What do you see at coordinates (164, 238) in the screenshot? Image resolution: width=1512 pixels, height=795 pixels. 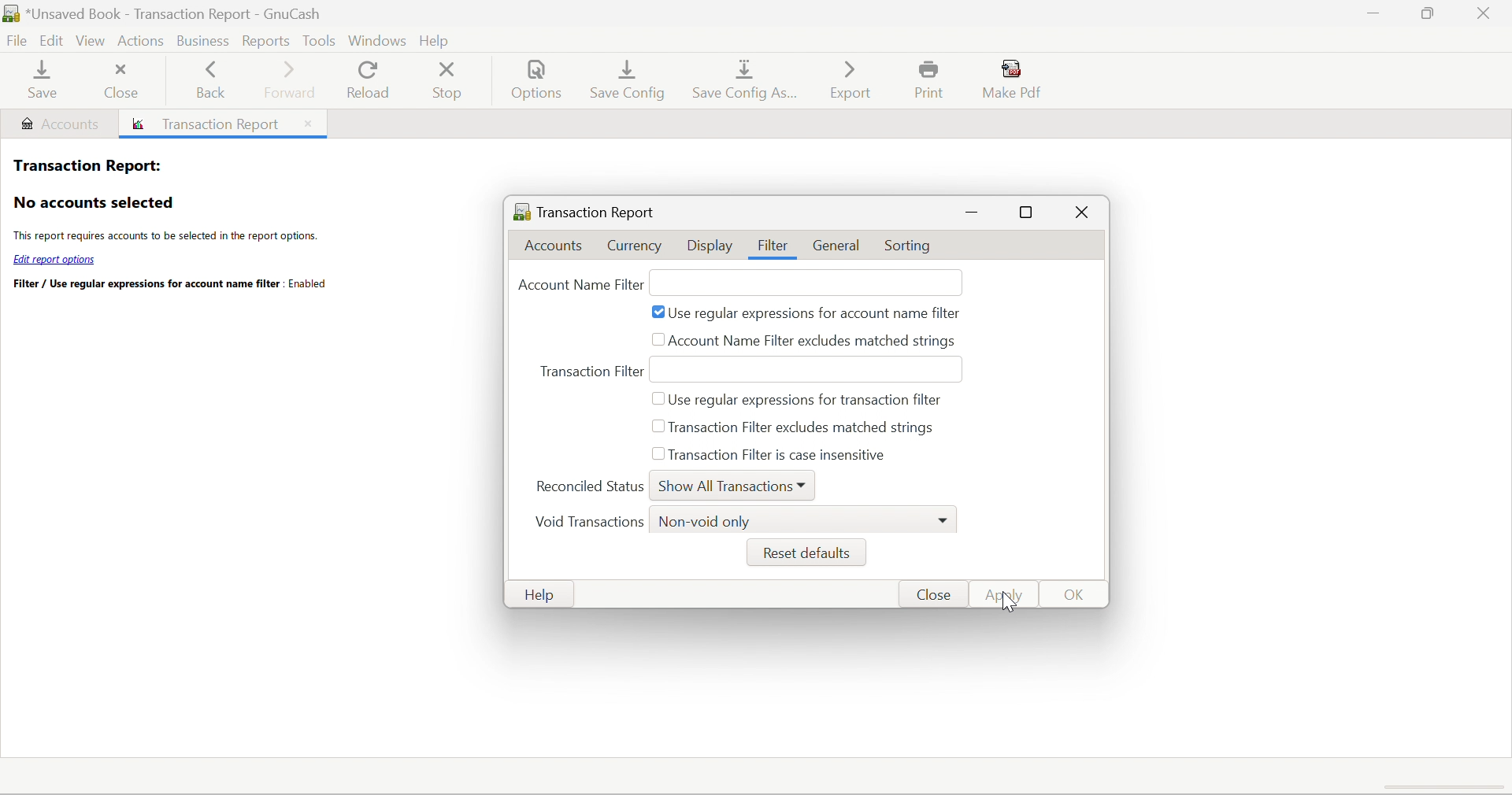 I see `The report requires accounts to be selected in the report options` at bounding box center [164, 238].